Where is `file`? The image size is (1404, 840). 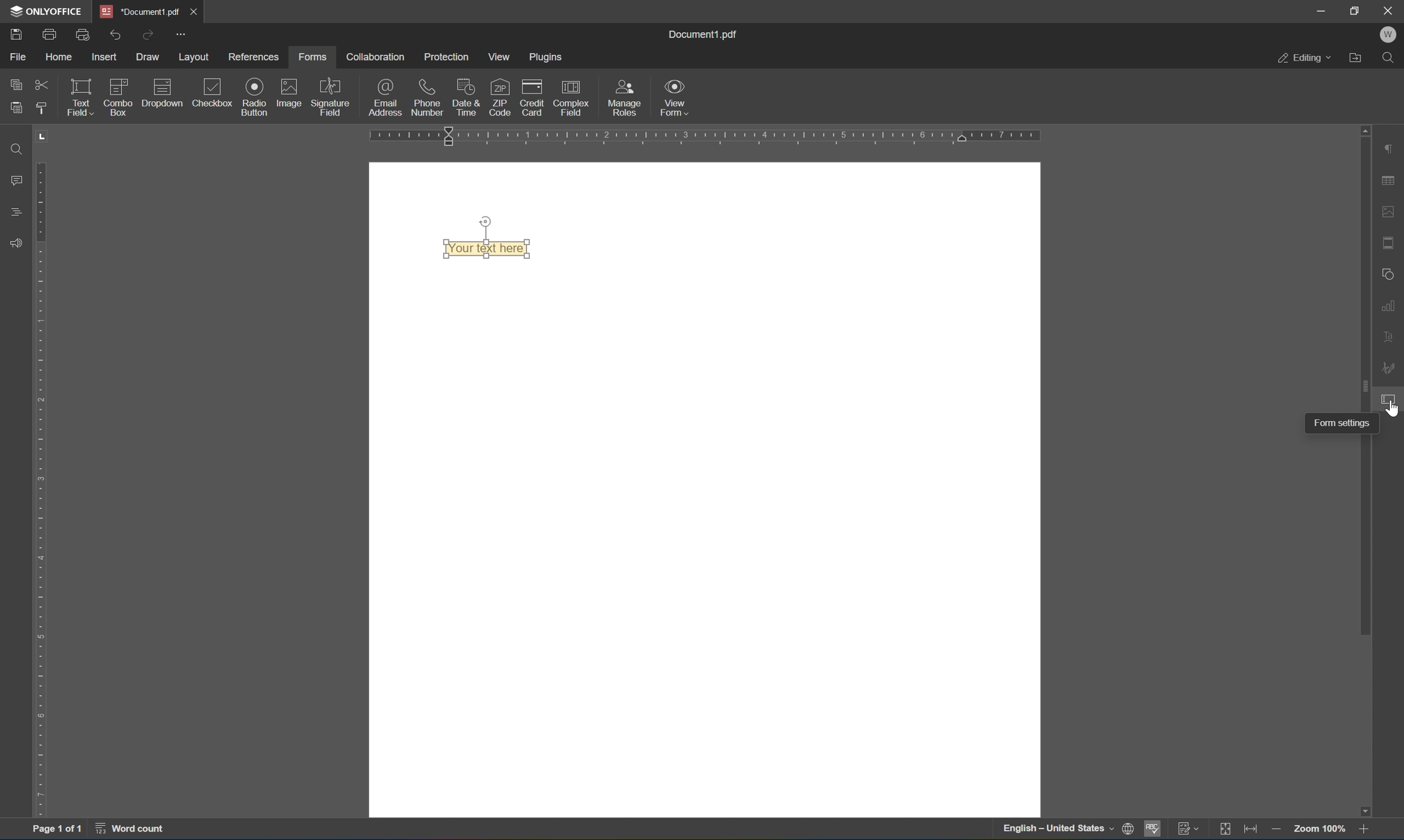 file is located at coordinates (20, 57).